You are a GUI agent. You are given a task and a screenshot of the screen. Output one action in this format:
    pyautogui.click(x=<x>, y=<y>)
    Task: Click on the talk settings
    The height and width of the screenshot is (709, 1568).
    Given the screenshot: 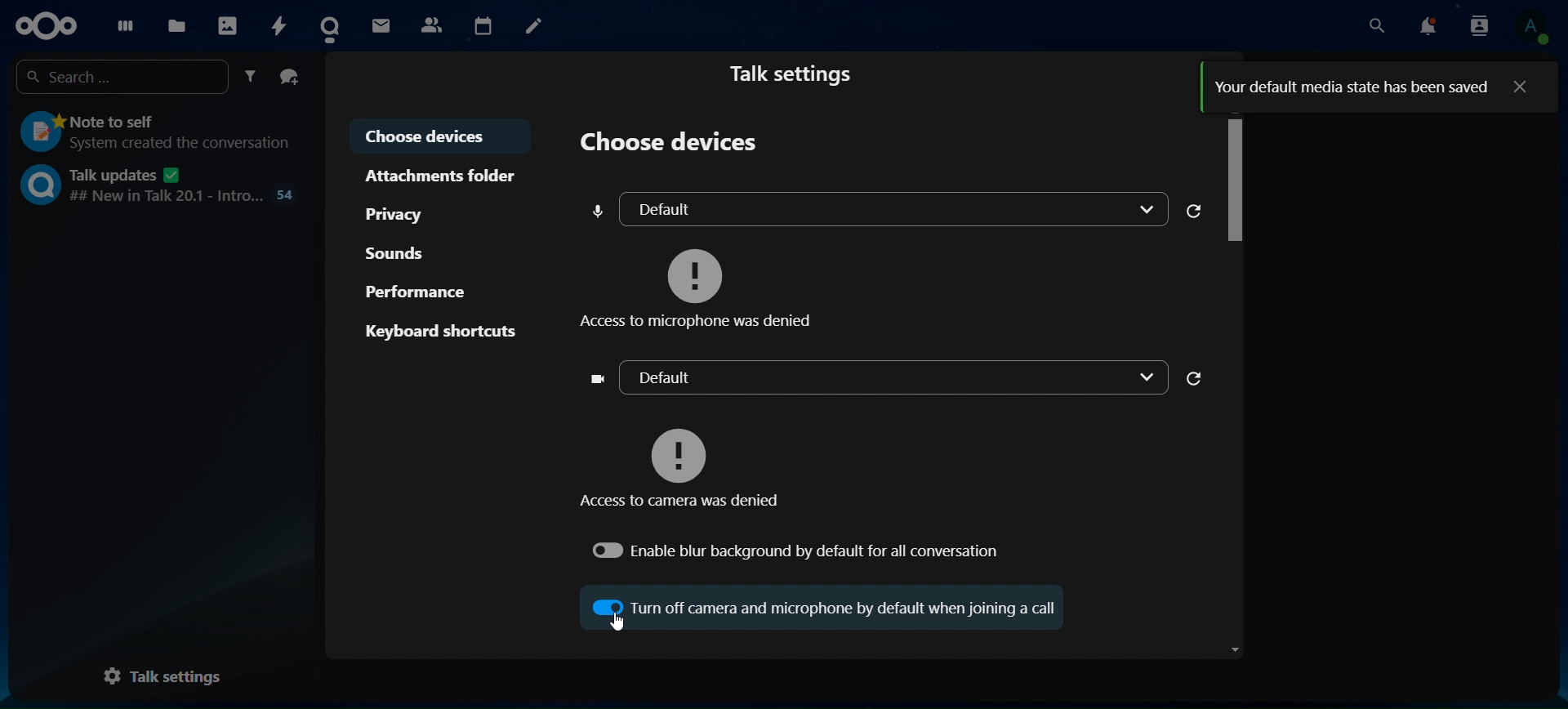 What is the action you would take?
    pyautogui.click(x=158, y=677)
    